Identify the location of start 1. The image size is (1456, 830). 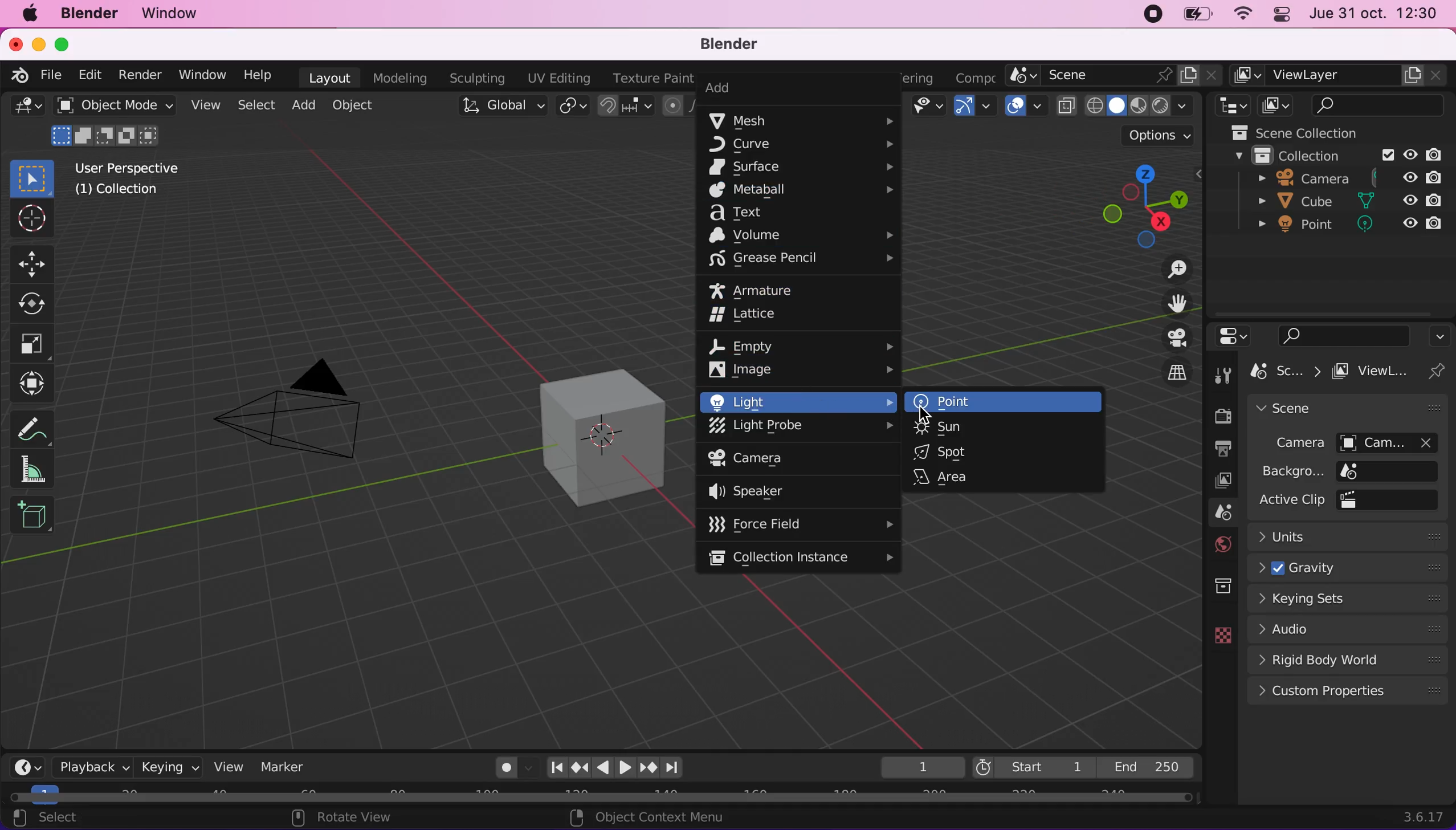
(1034, 766).